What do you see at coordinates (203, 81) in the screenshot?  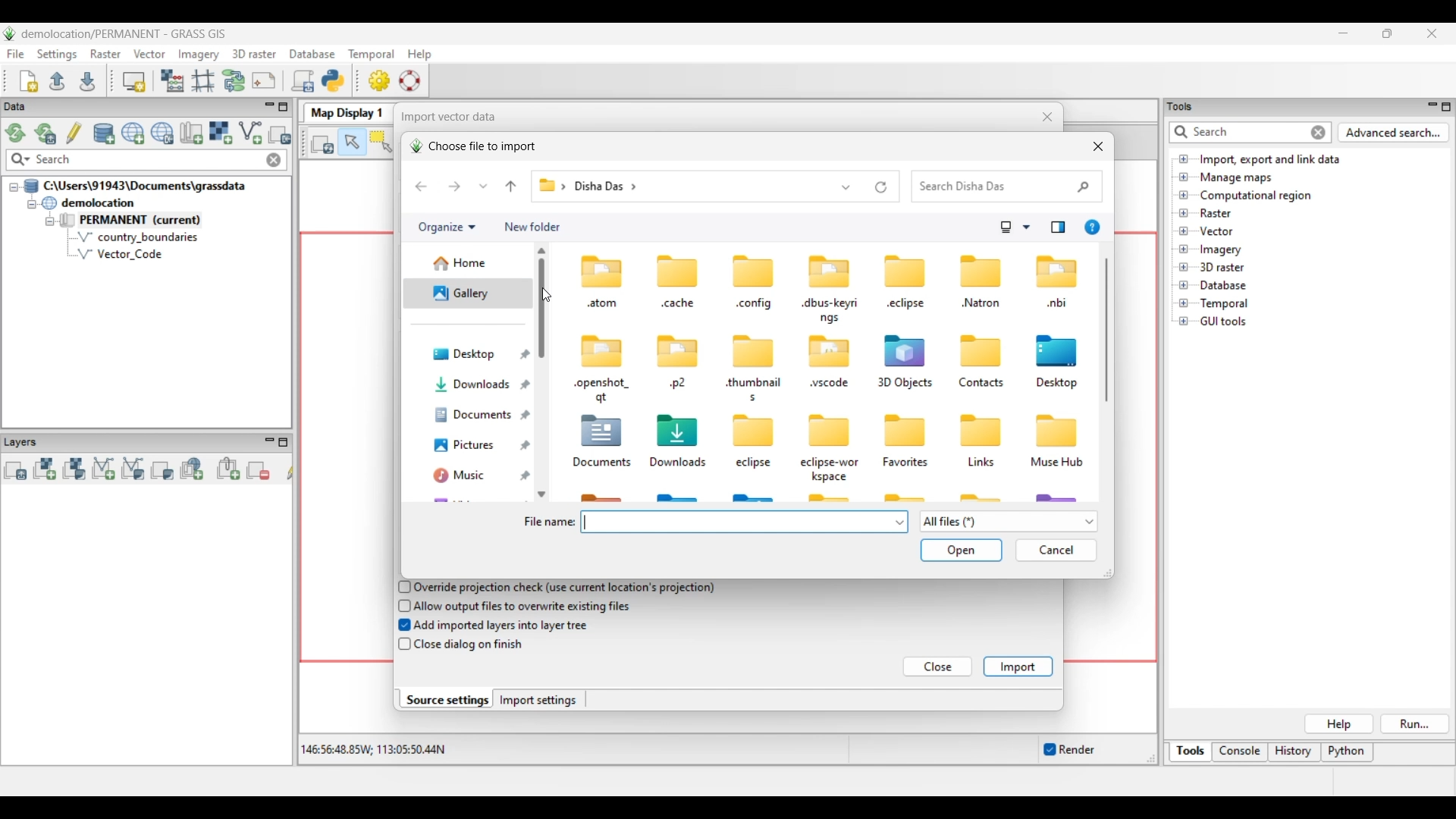 I see `Georectifier` at bounding box center [203, 81].